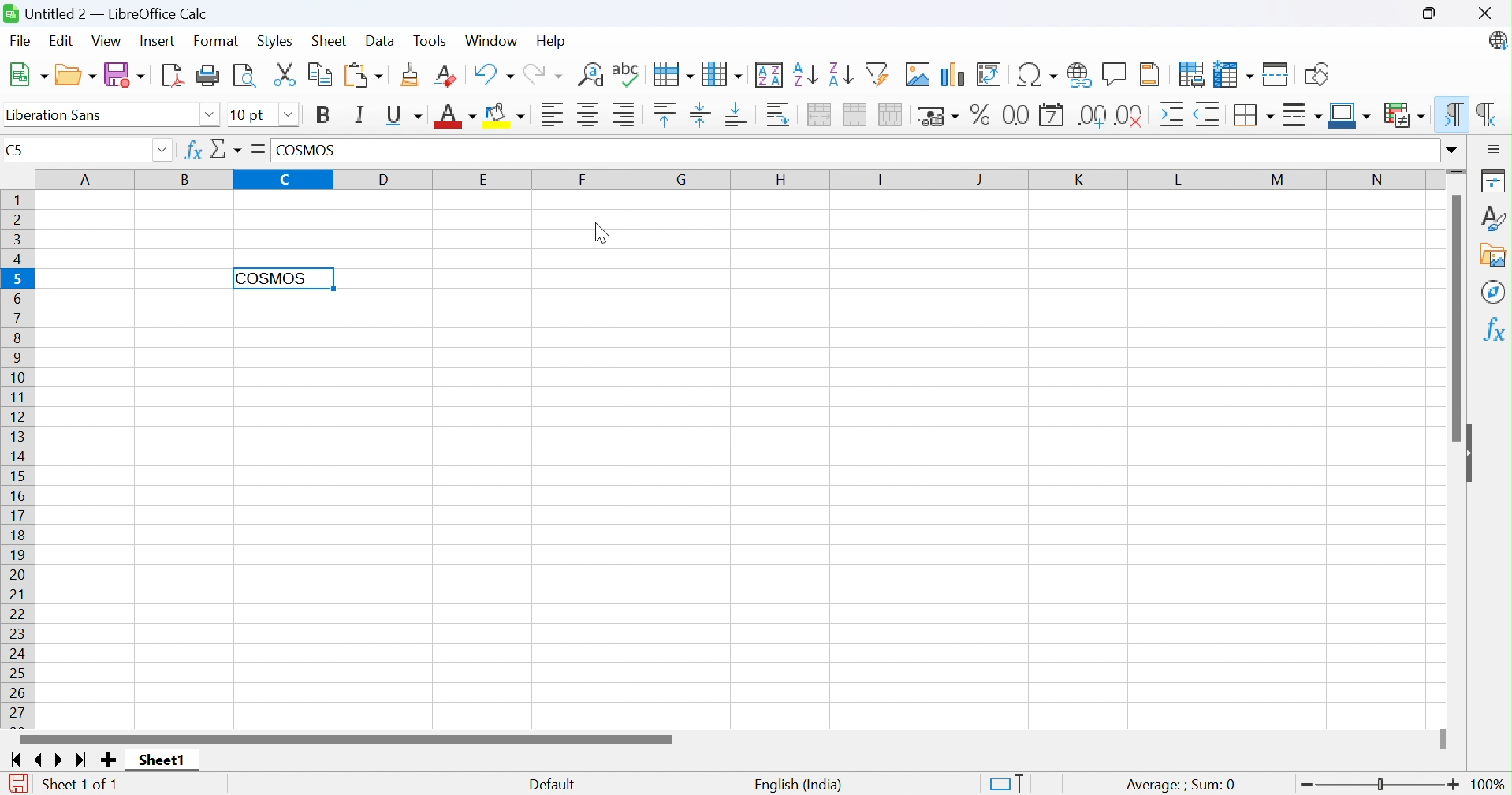 This screenshot has width=1512, height=795. I want to click on Export as PDF, so click(172, 76).